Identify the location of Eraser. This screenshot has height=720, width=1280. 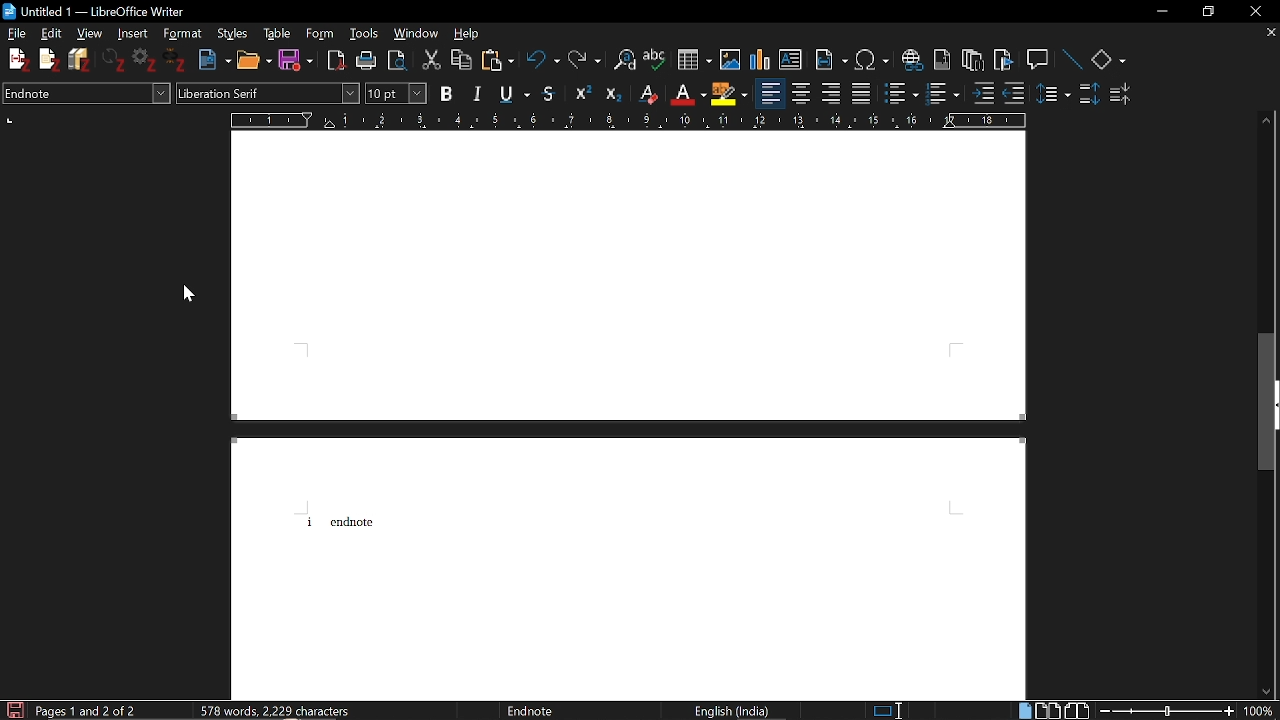
(650, 95).